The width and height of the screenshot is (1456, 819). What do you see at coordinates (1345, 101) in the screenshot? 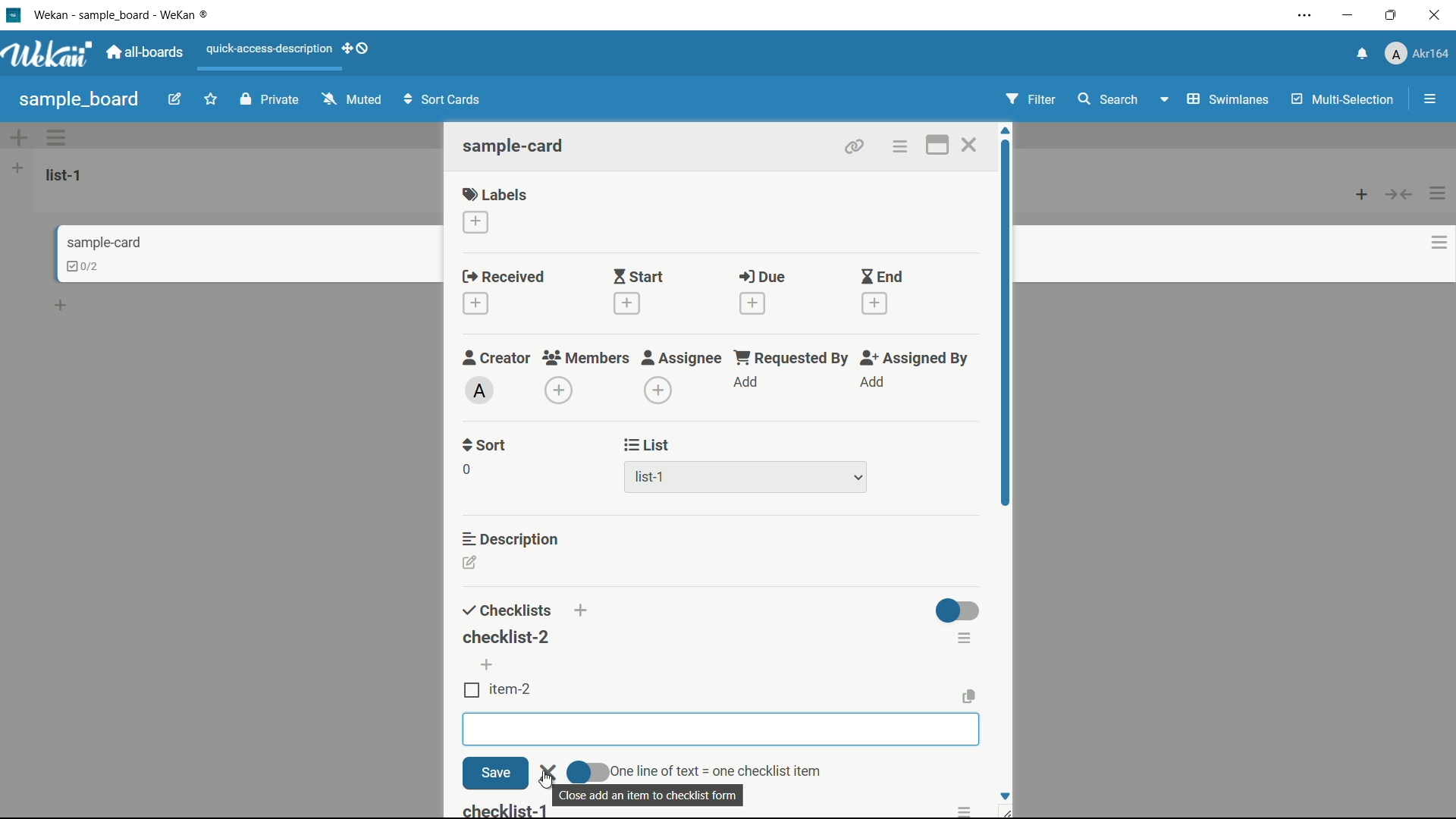
I see `multi selection` at bounding box center [1345, 101].